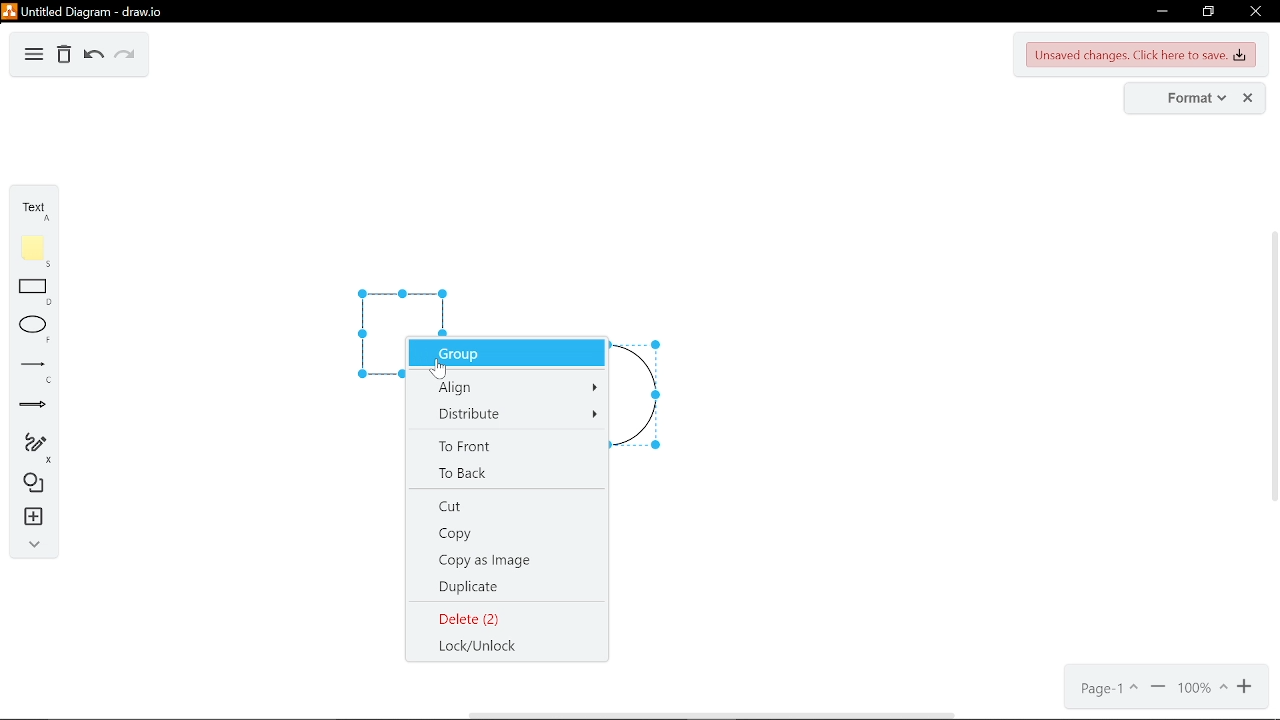 This screenshot has height=720, width=1280. Describe the element at coordinates (509, 415) in the screenshot. I see `distribute` at that location.